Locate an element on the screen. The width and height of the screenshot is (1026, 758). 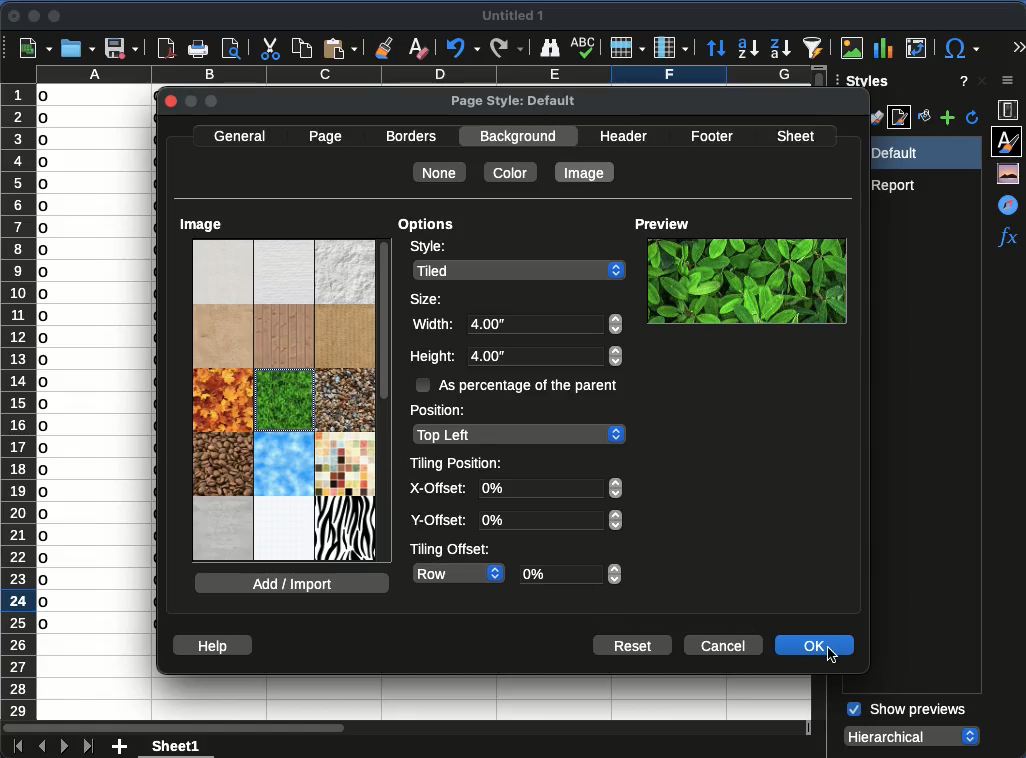
tiled is located at coordinates (521, 270).